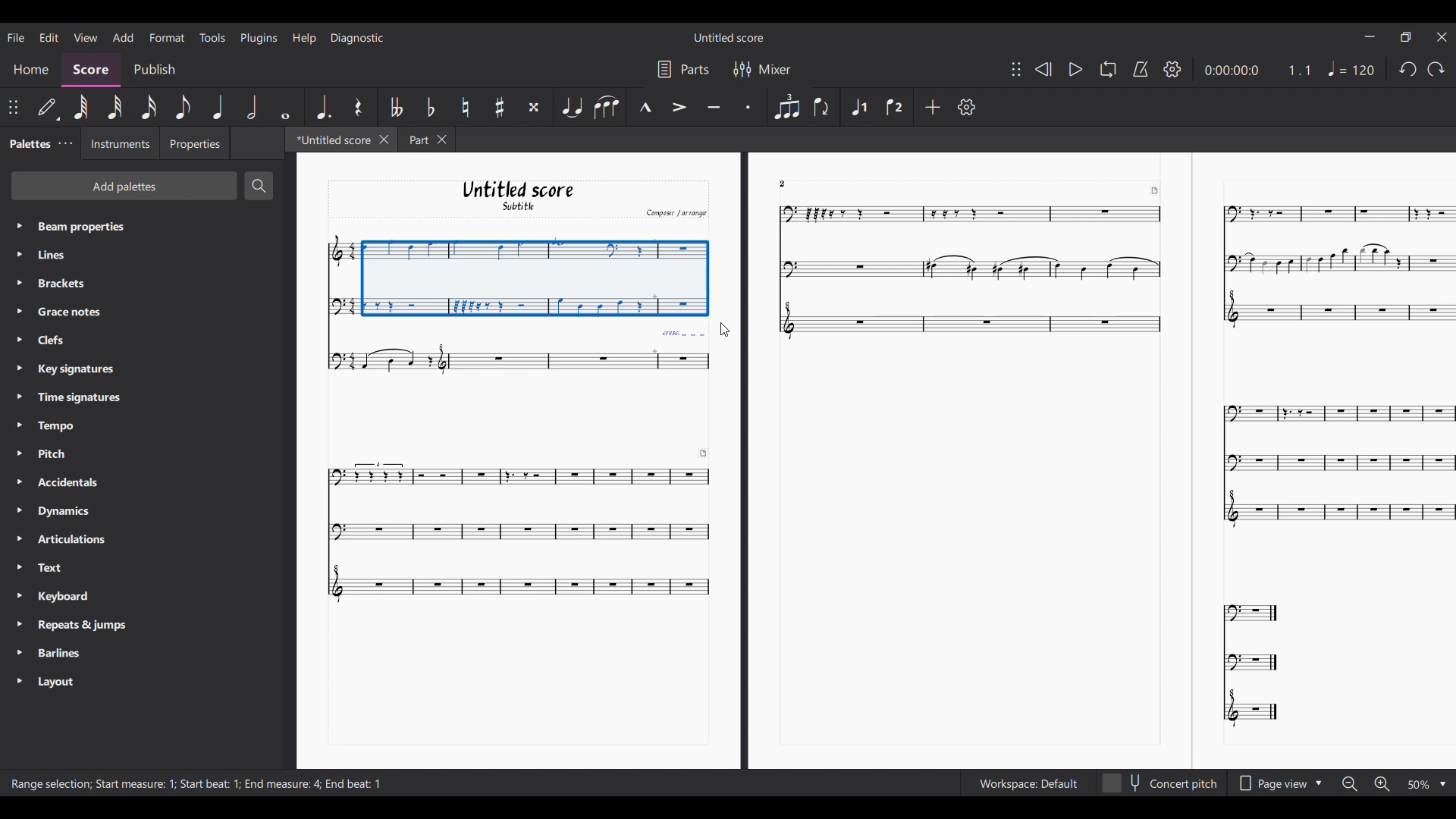 The image size is (1456, 819). I want to click on Settings, so click(1173, 69).